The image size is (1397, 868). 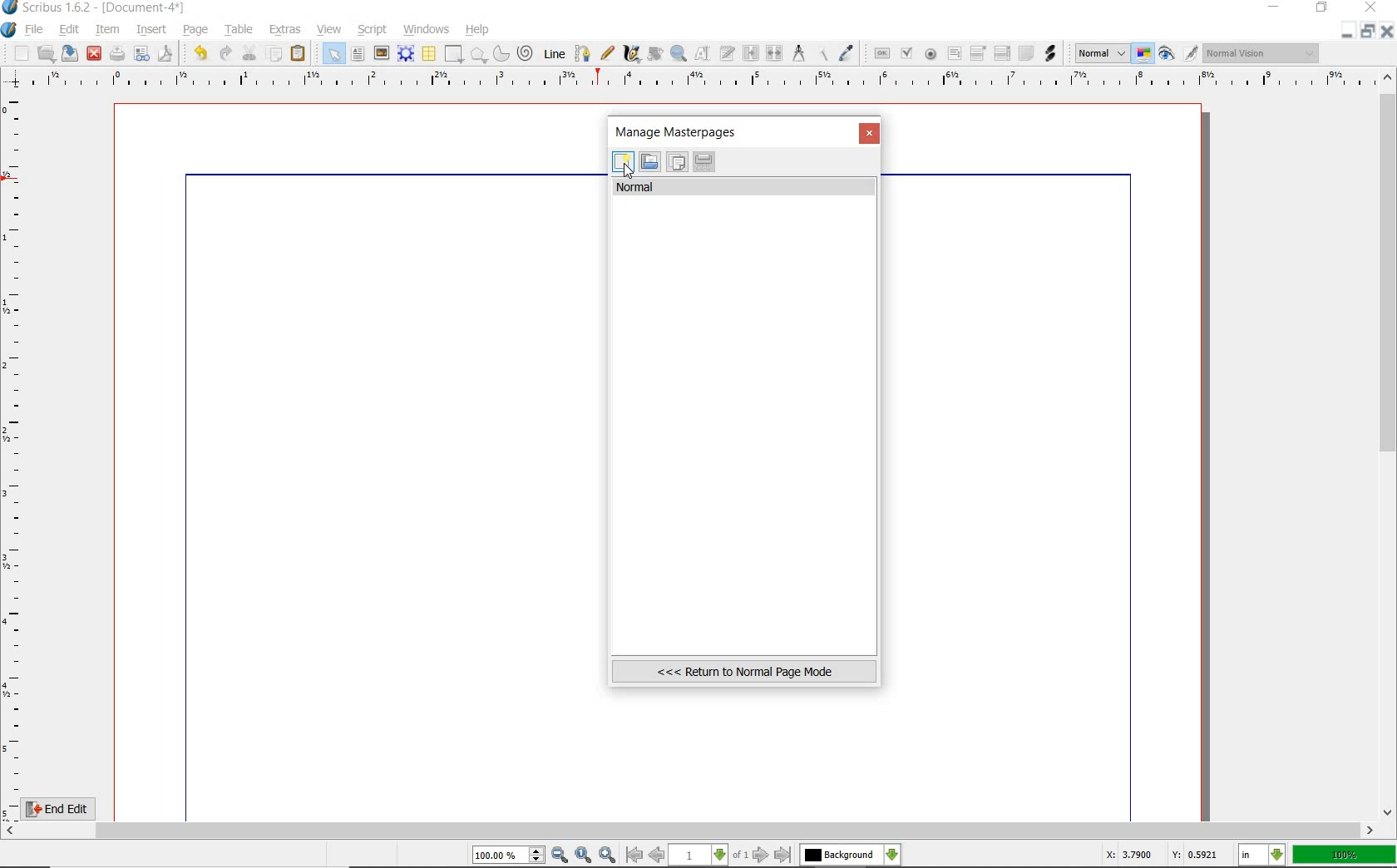 What do you see at coordinates (428, 54) in the screenshot?
I see `table` at bounding box center [428, 54].